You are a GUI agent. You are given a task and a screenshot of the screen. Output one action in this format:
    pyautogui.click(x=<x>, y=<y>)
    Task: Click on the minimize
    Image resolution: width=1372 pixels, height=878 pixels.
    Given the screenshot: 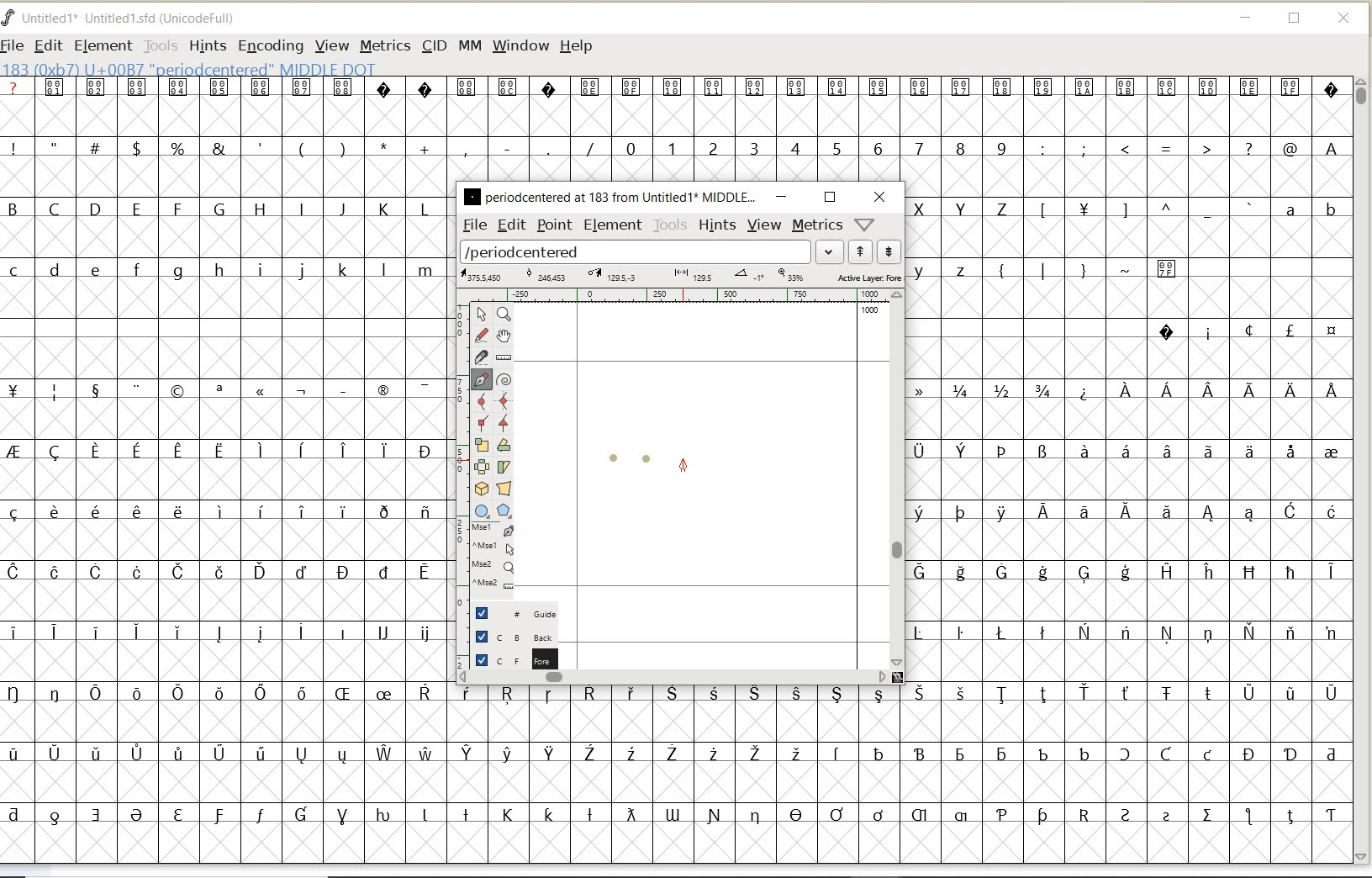 What is the action you would take?
    pyautogui.click(x=781, y=197)
    